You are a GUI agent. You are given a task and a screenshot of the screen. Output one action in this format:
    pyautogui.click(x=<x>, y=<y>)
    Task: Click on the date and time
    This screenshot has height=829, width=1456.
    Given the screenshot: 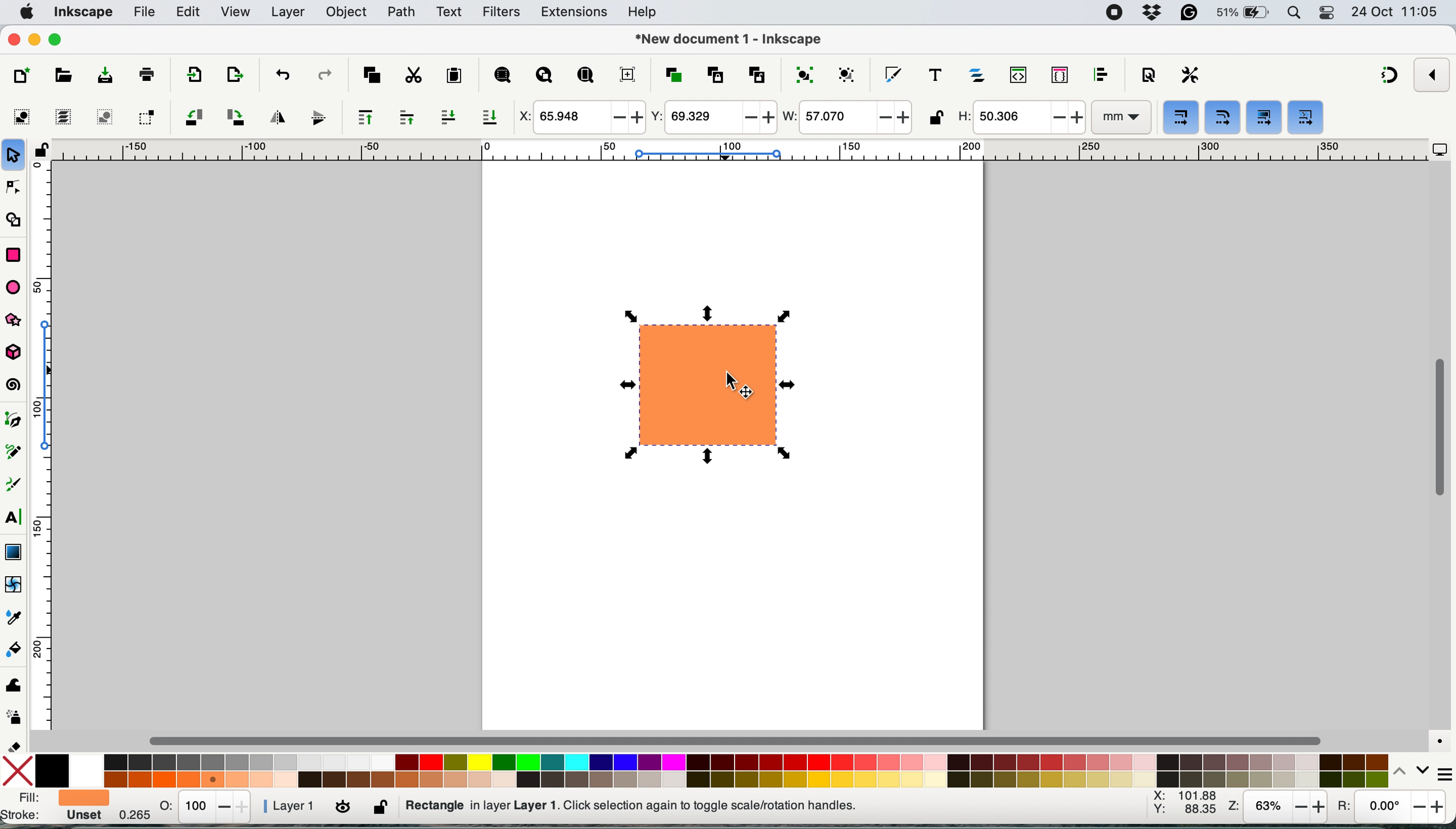 What is the action you would take?
    pyautogui.click(x=1395, y=11)
    